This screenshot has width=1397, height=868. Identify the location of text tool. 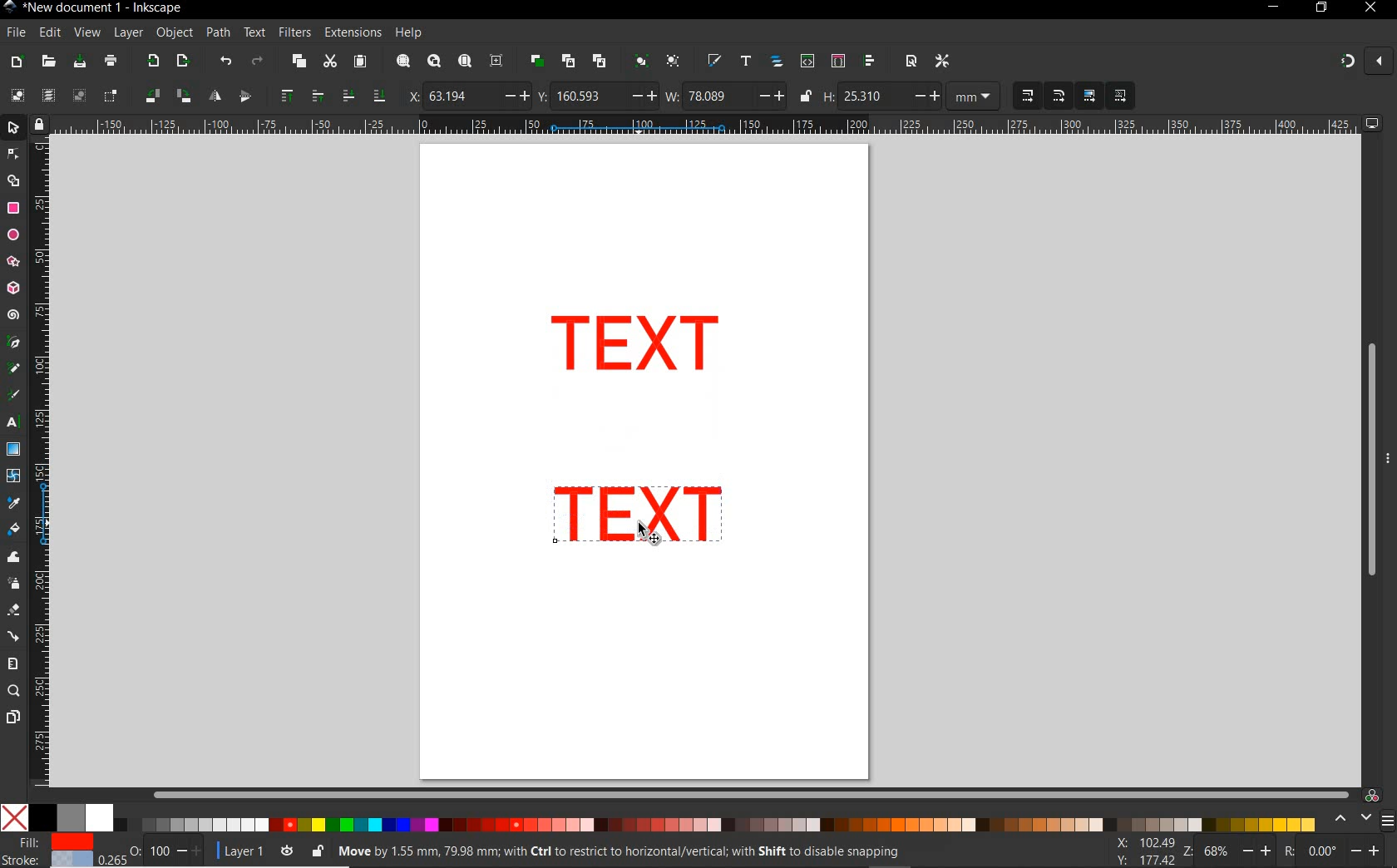
(15, 424).